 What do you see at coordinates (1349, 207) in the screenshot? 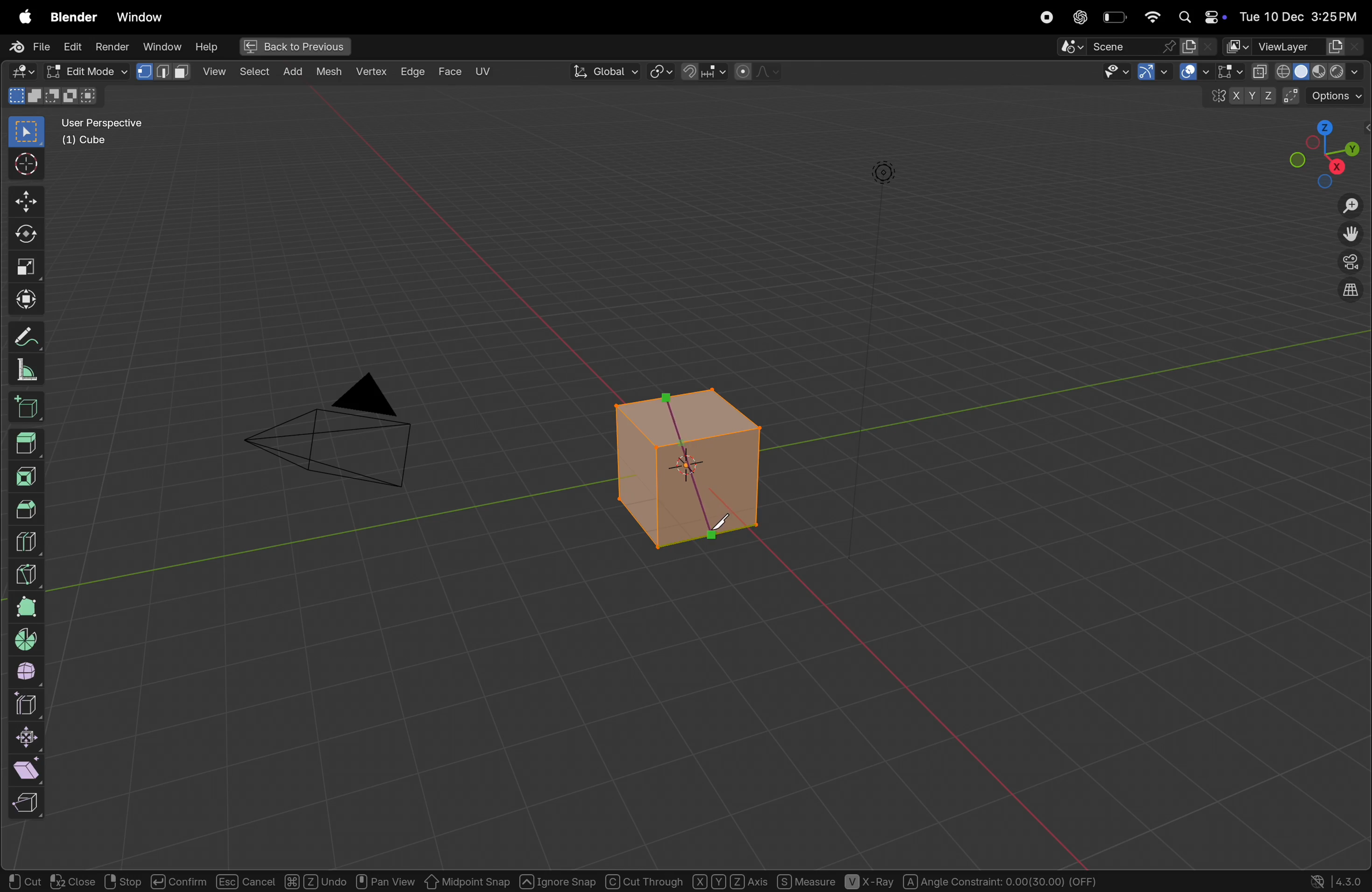
I see `zoom` at bounding box center [1349, 207].